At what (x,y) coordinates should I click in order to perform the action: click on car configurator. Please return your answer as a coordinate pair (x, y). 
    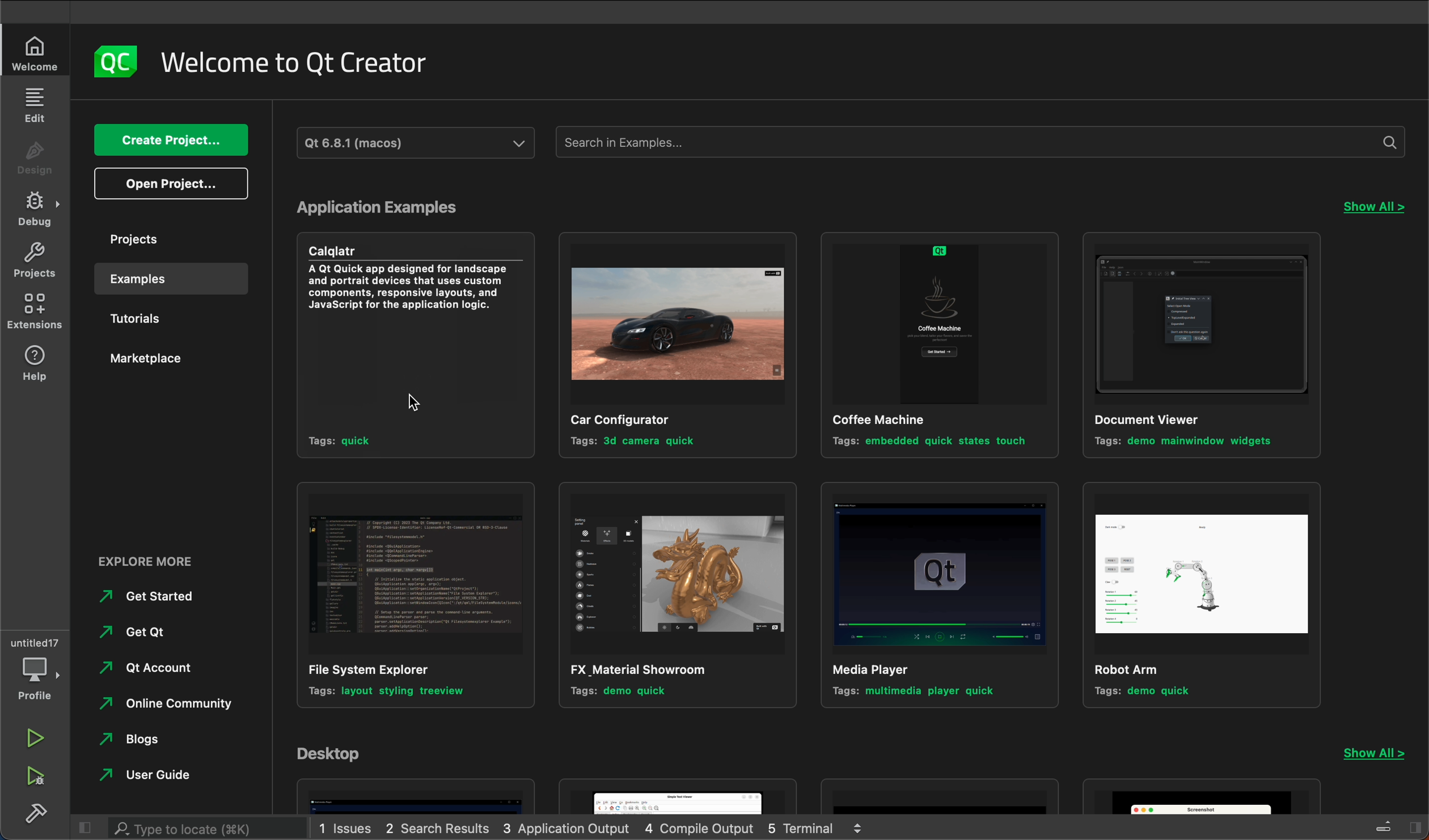
    Looking at the image, I should click on (671, 345).